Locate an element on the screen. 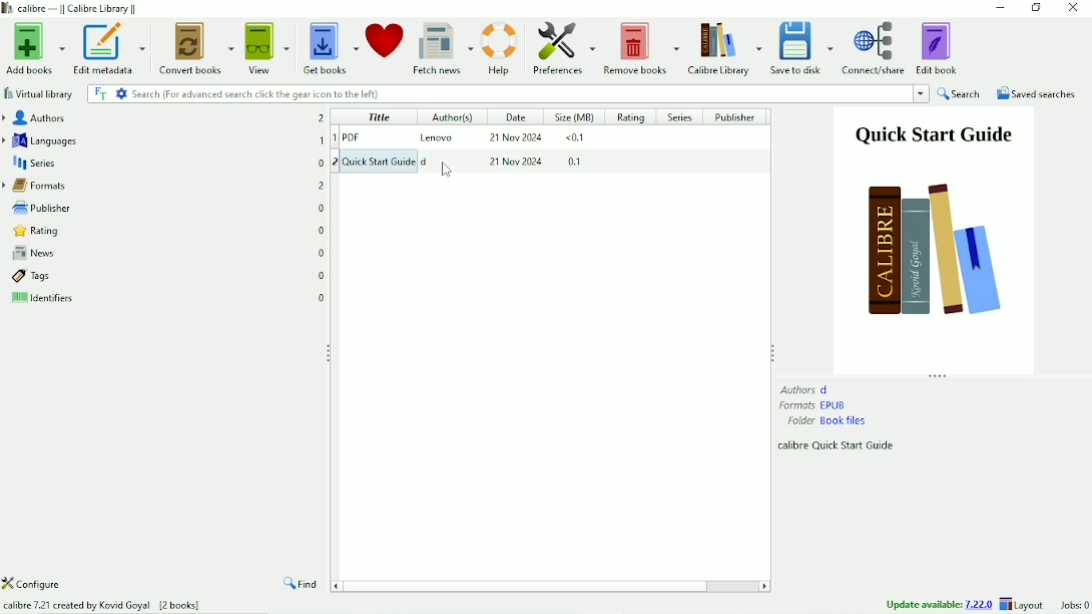 This screenshot has height=614, width=1092. 0.1 is located at coordinates (578, 164).